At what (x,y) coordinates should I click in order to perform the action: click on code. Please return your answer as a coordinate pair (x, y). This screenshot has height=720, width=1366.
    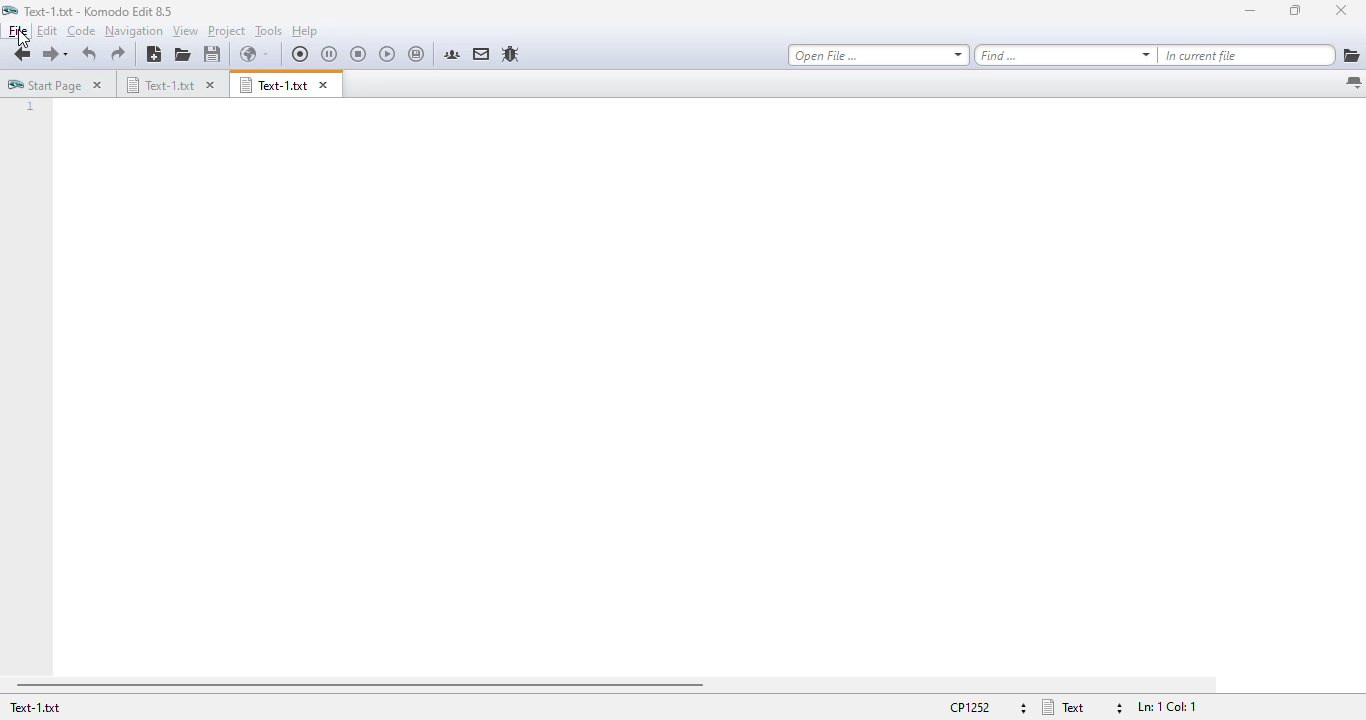
    Looking at the image, I should click on (81, 31).